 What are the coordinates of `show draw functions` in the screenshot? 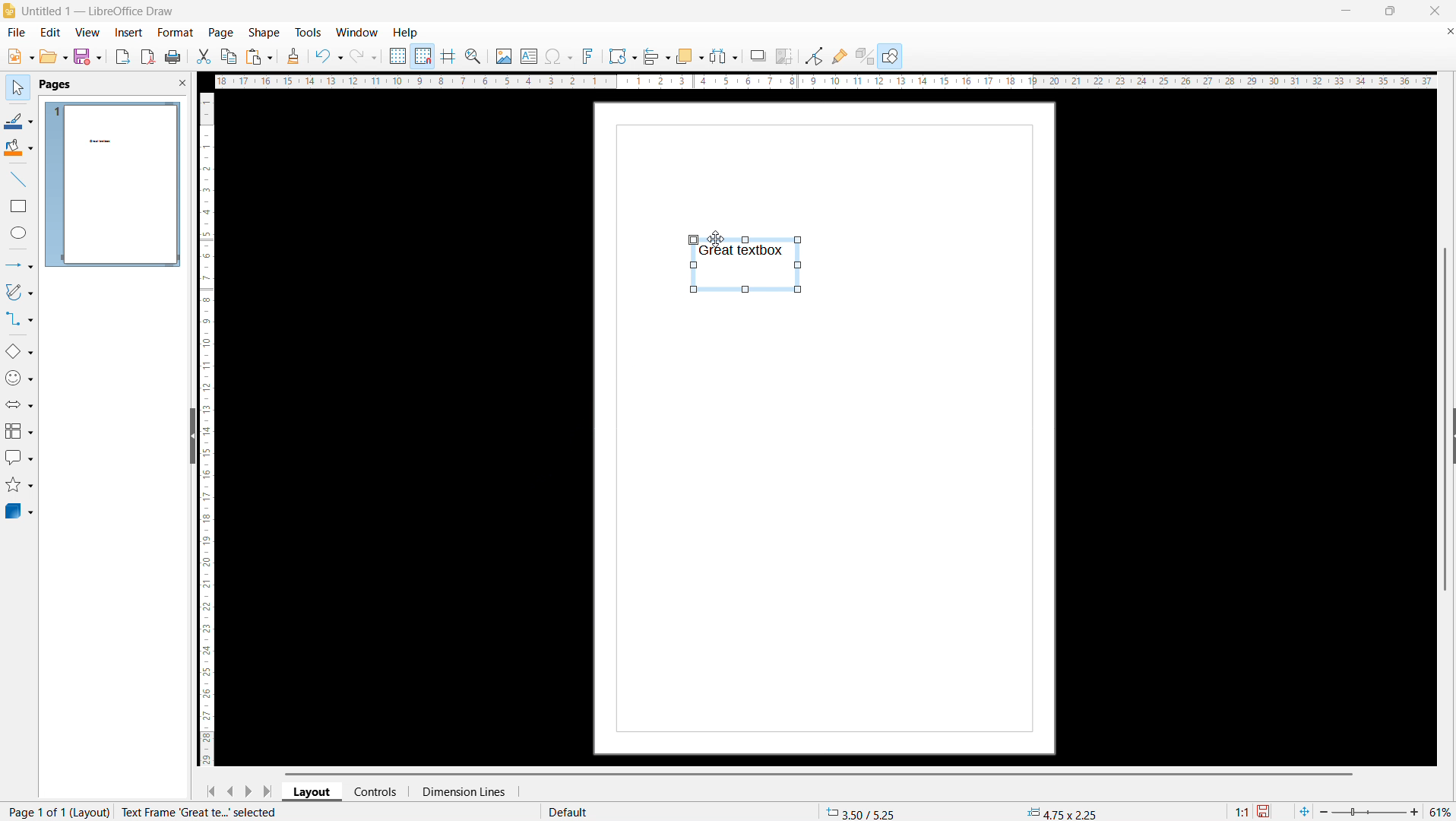 It's located at (890, 57).